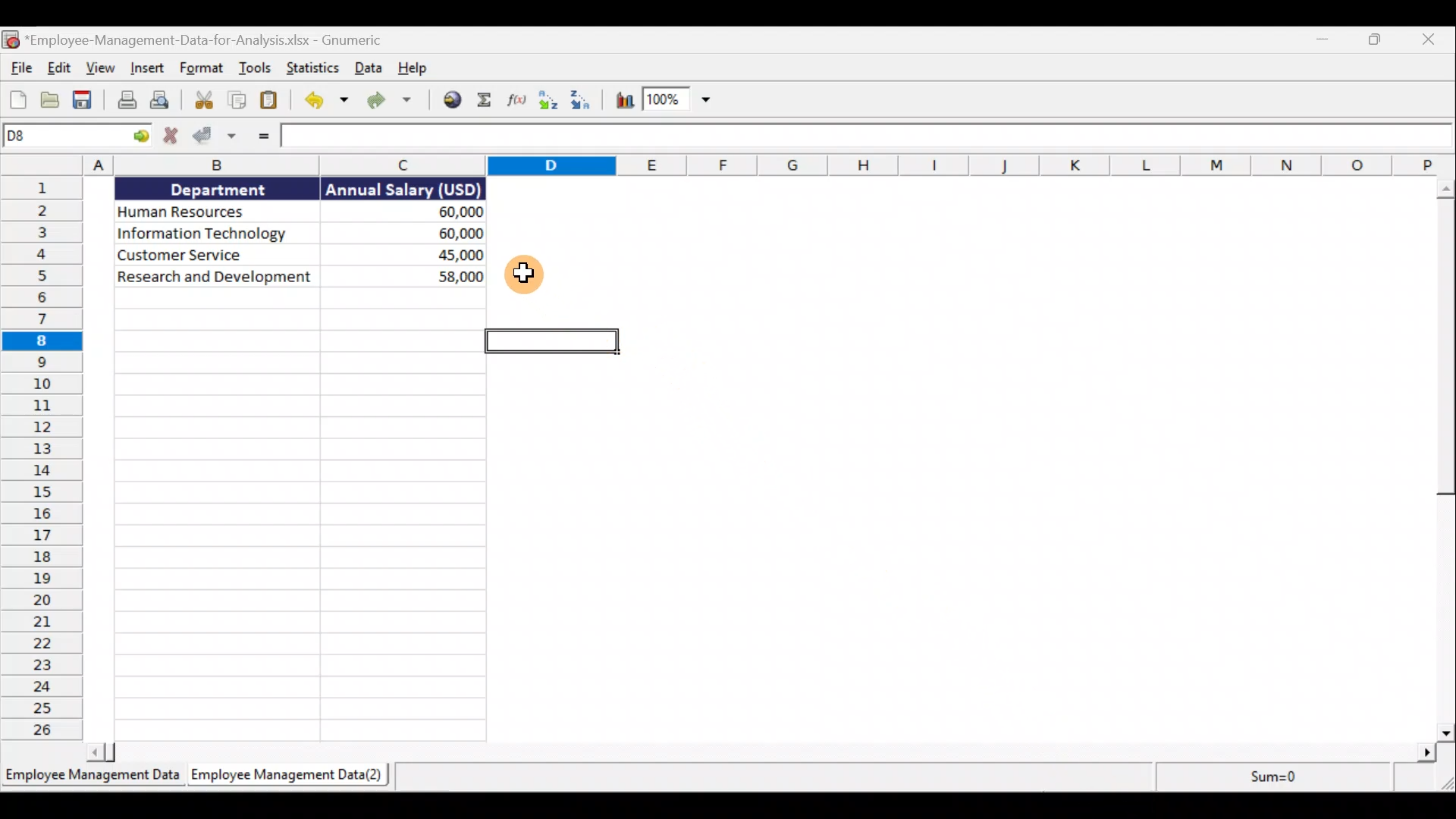 This screenshot has height=819, width=1456. Describe the element at coordinates (686, 102) in the screenshot. I see `Zoom` at that location.